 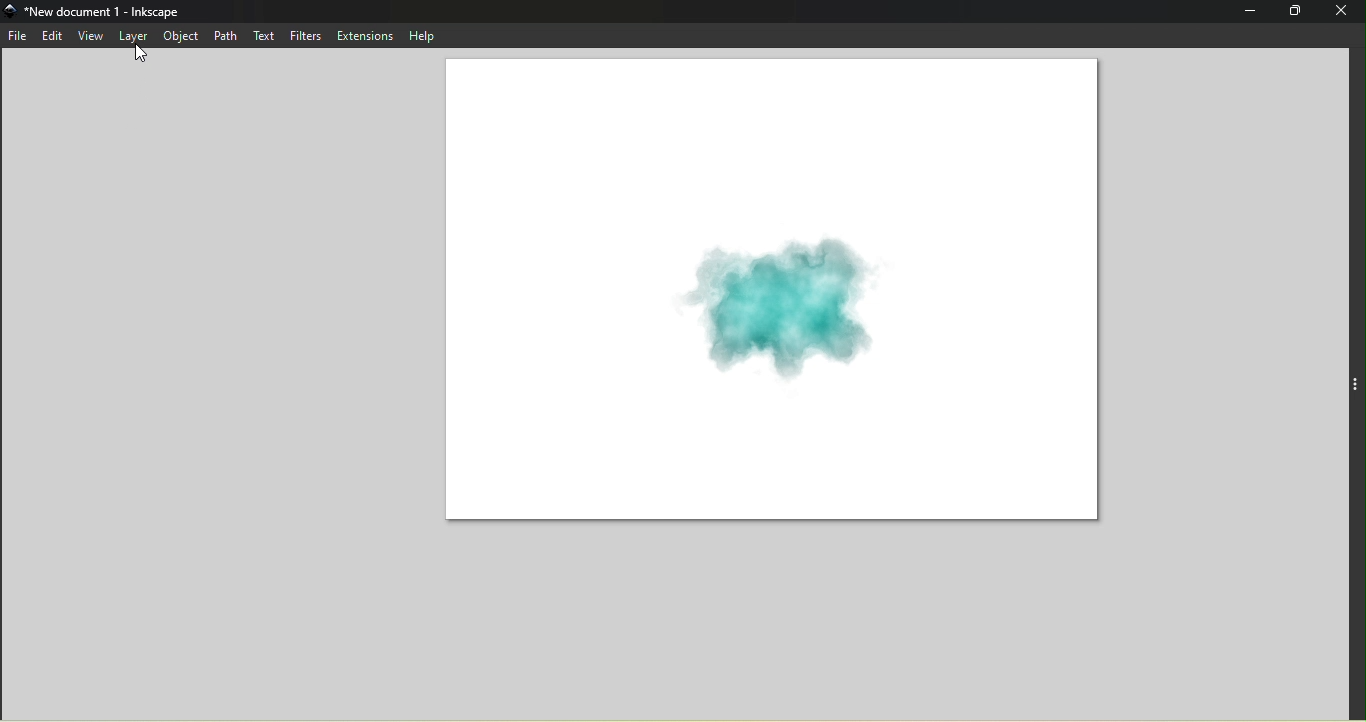 I want to click on Filters, so click(x=305, y=36).